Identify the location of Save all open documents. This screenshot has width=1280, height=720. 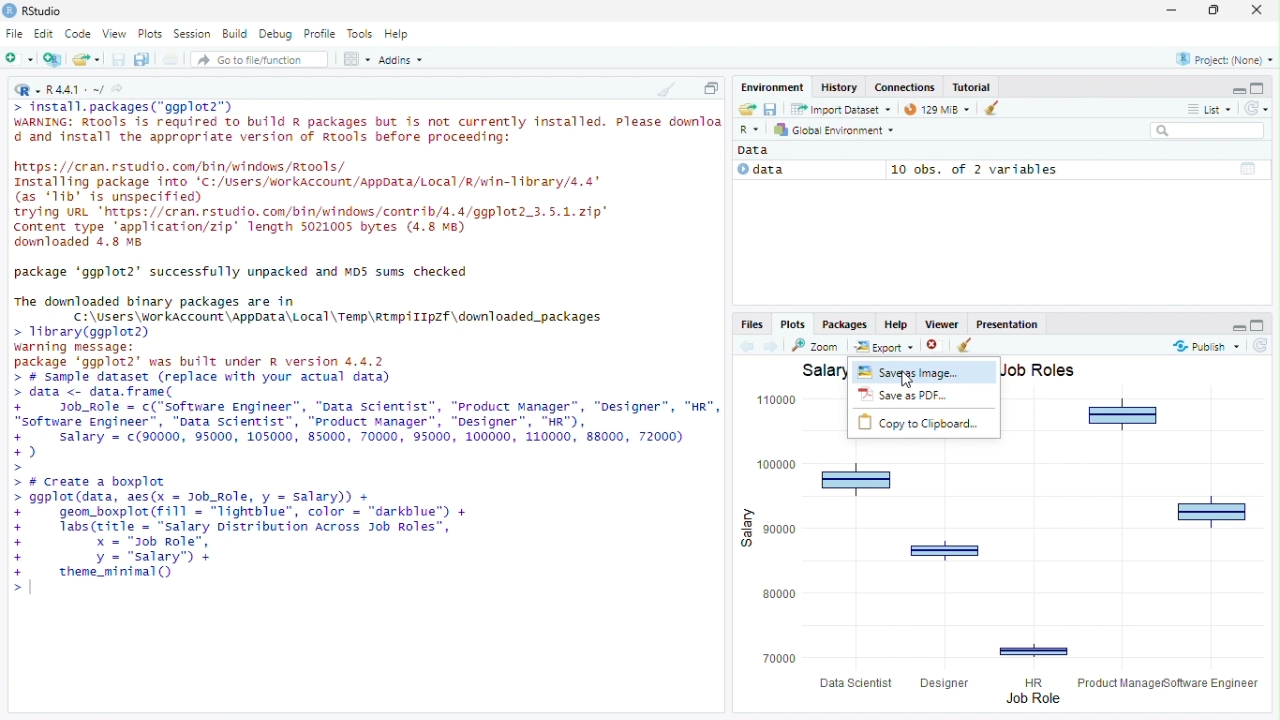
(144, 59).